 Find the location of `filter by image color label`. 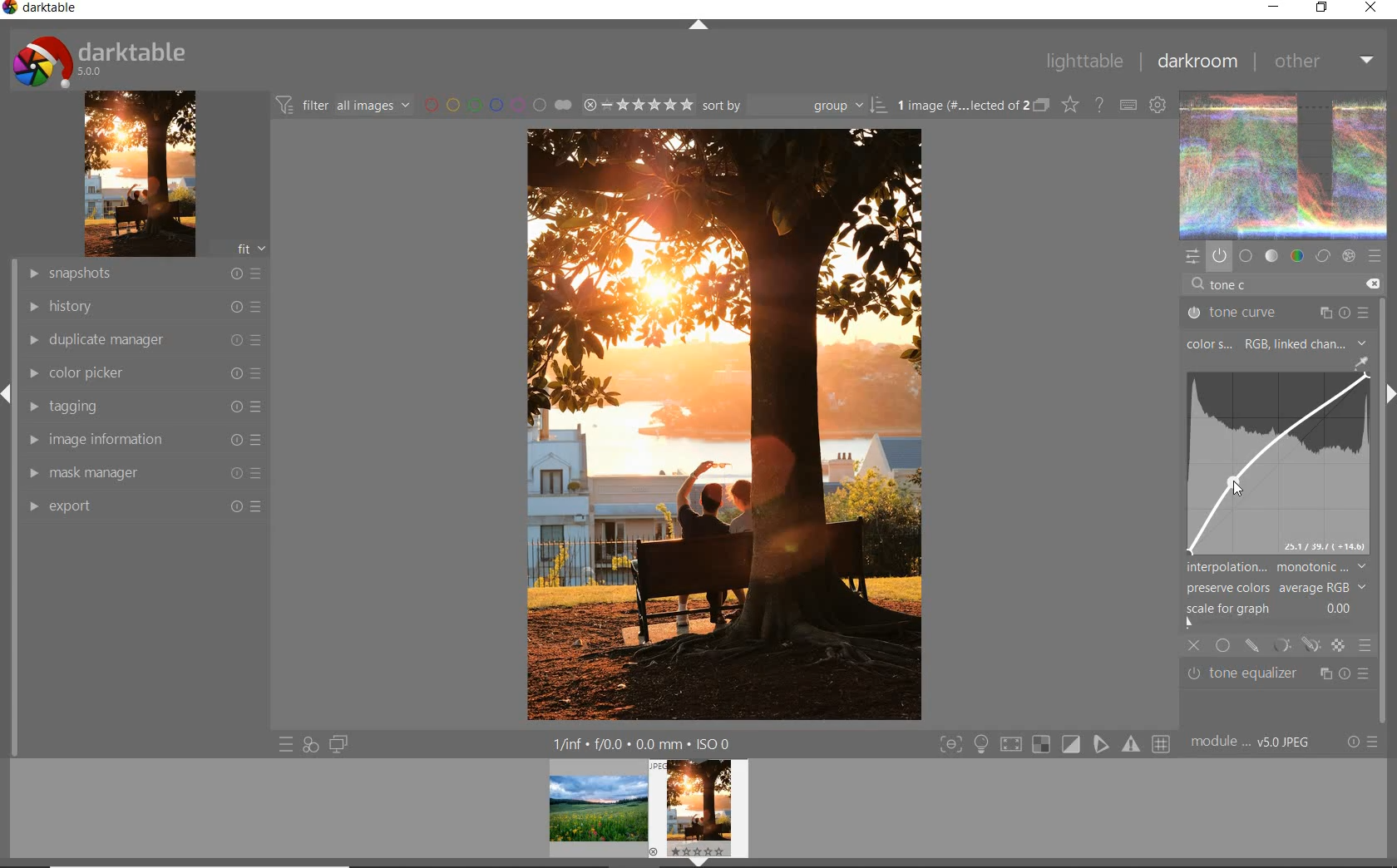

filter by image color label is located at coordinates (500, 104).